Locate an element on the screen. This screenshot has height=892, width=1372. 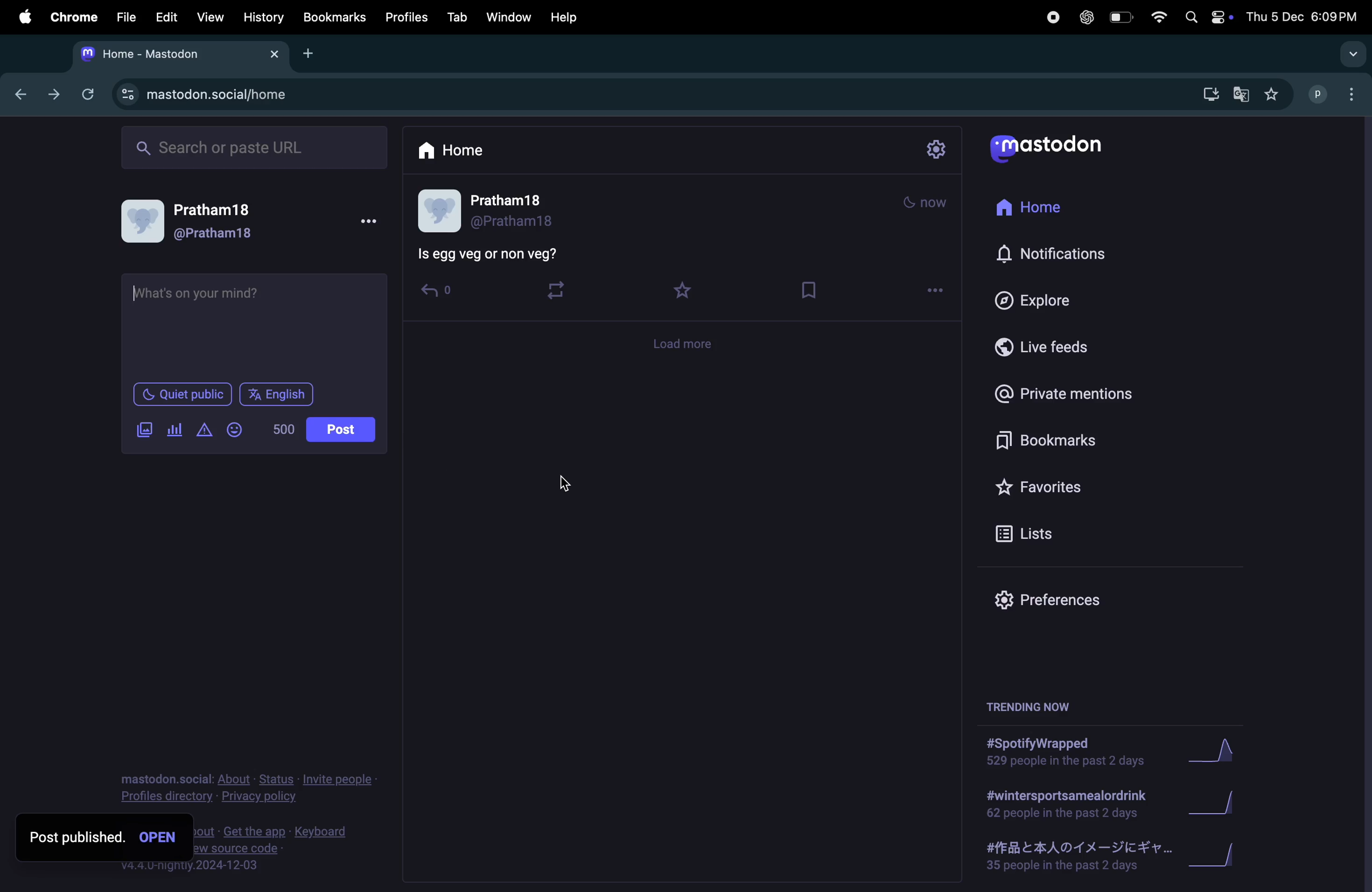
Quiet public is located at coordinates (181, 394).